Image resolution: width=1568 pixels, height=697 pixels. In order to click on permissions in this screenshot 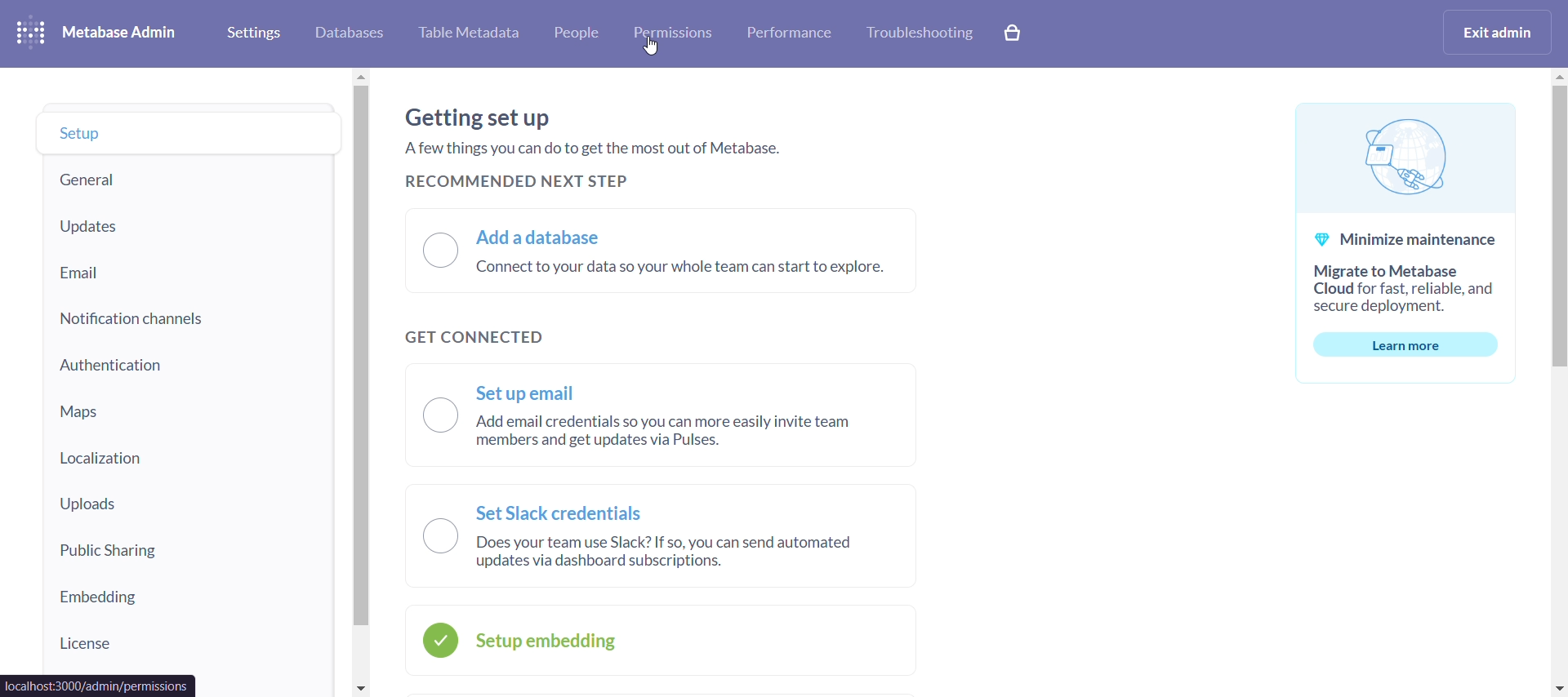, I will do `click(677, 34)`.